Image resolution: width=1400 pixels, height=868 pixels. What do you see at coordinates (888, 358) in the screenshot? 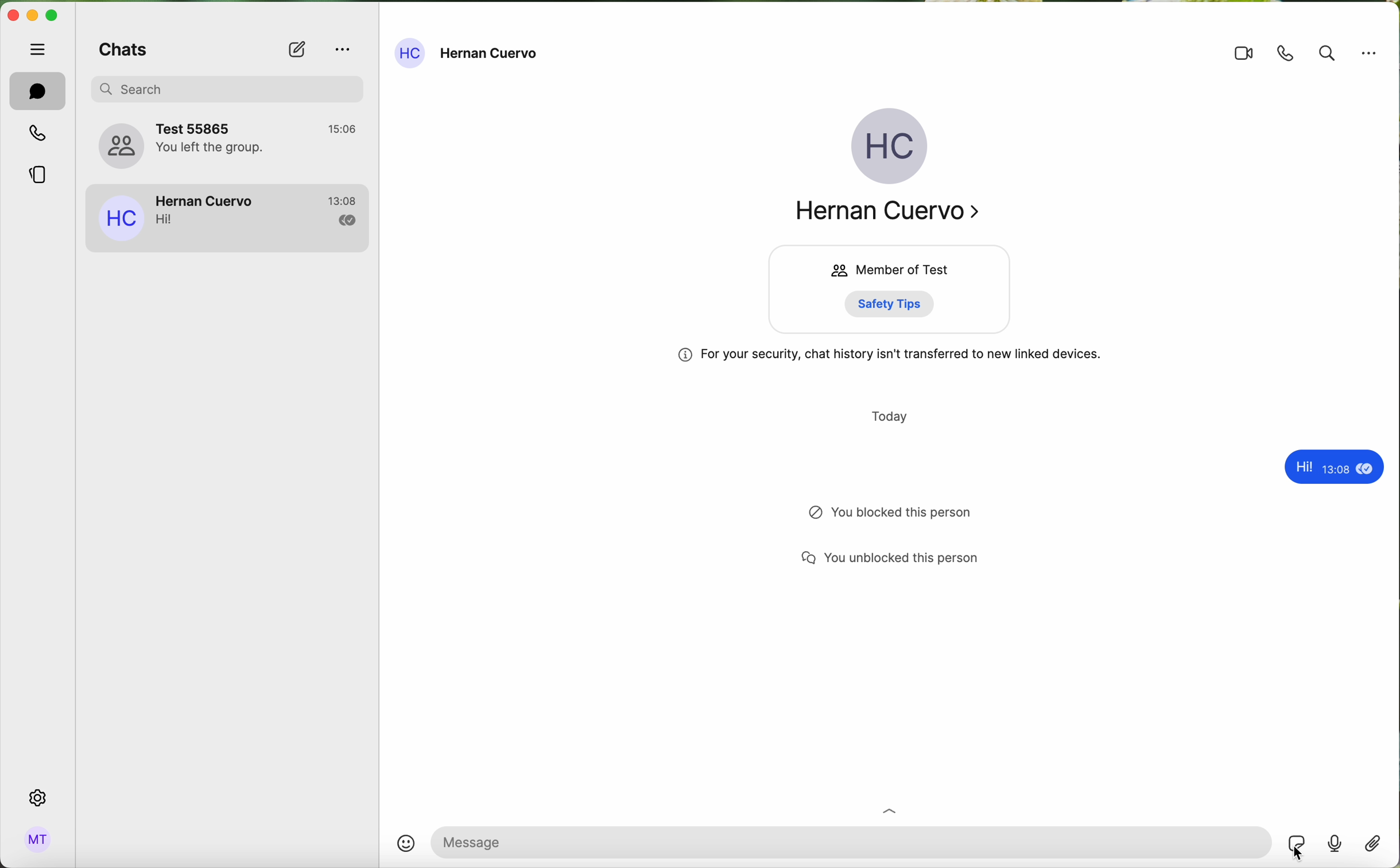
I see `safety message` at bounding box center [888, 358].